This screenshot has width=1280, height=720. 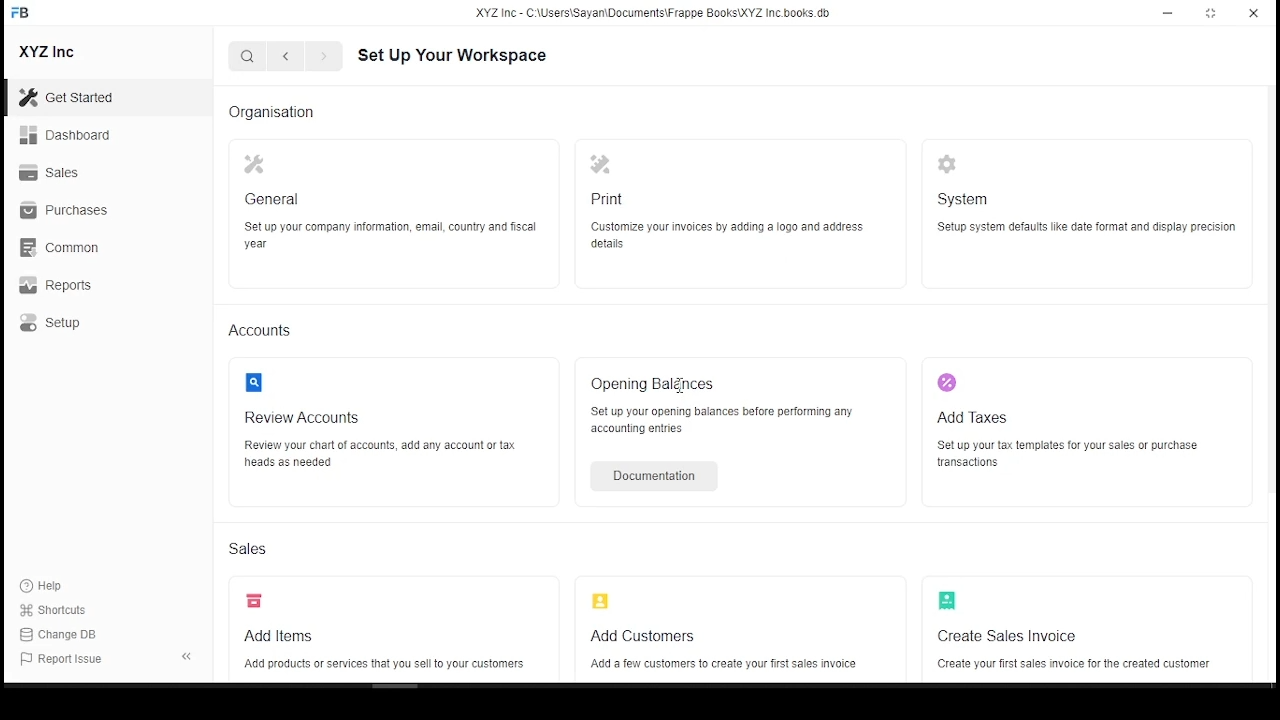 I want to click on search, so click(x=249, y=57).